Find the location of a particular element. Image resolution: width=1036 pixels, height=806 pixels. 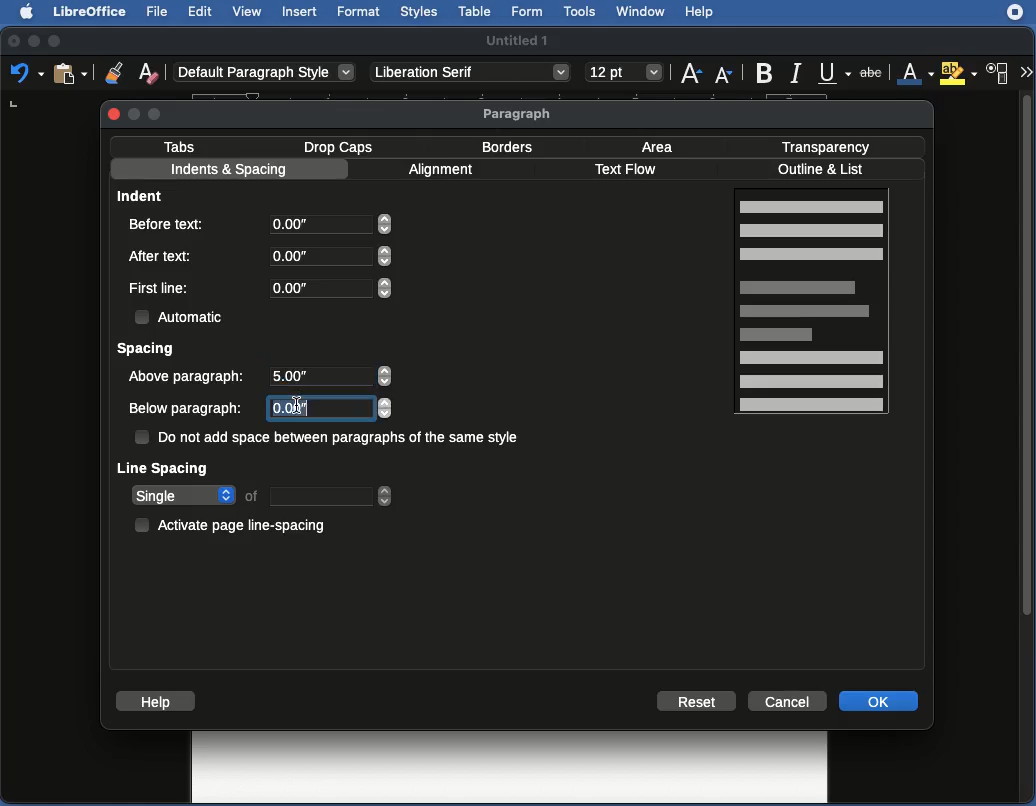

Transparency is located at coordinates (826, 145).